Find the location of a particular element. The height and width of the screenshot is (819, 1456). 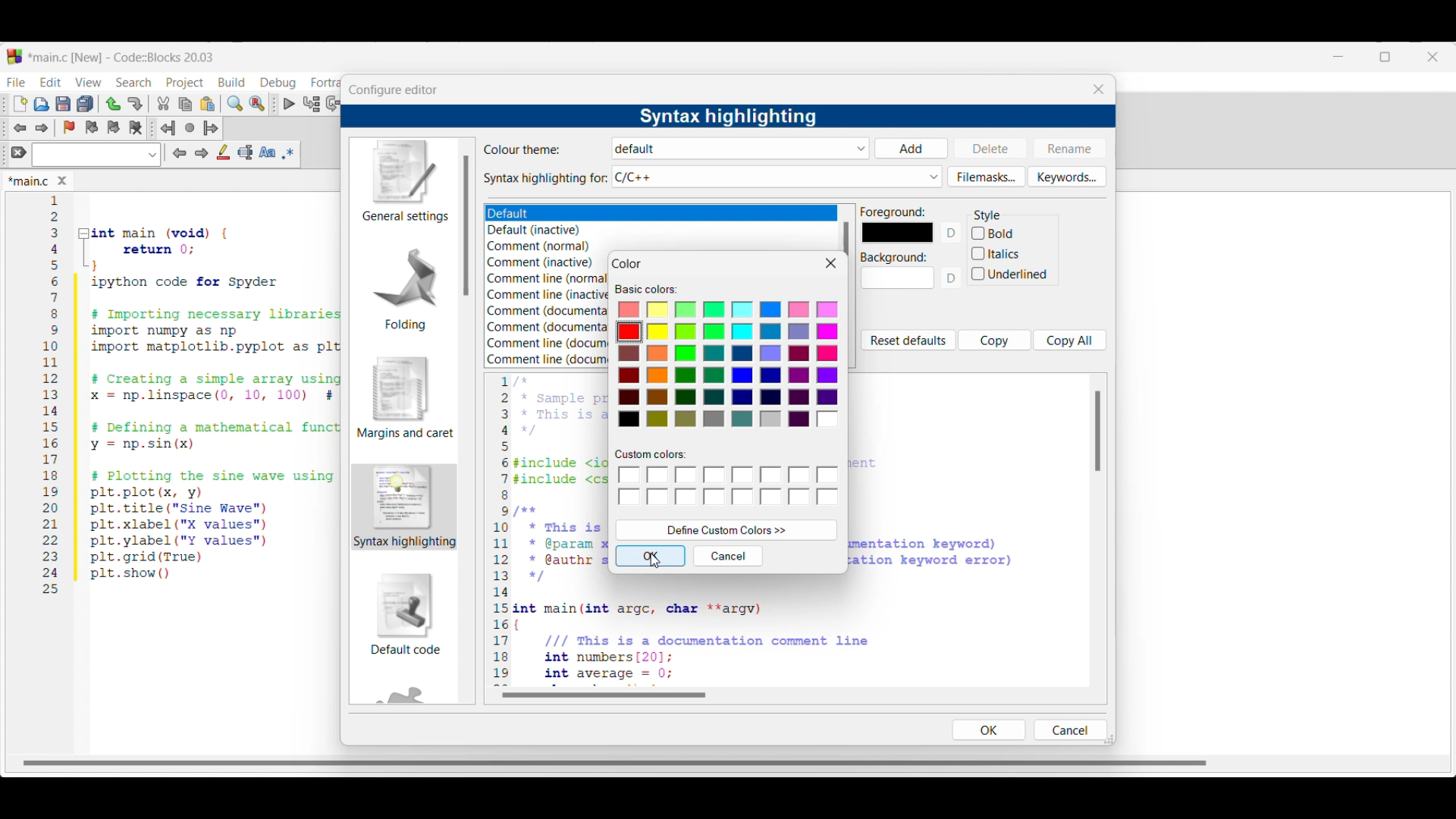

Selected text is located at coordinates (246, 152).